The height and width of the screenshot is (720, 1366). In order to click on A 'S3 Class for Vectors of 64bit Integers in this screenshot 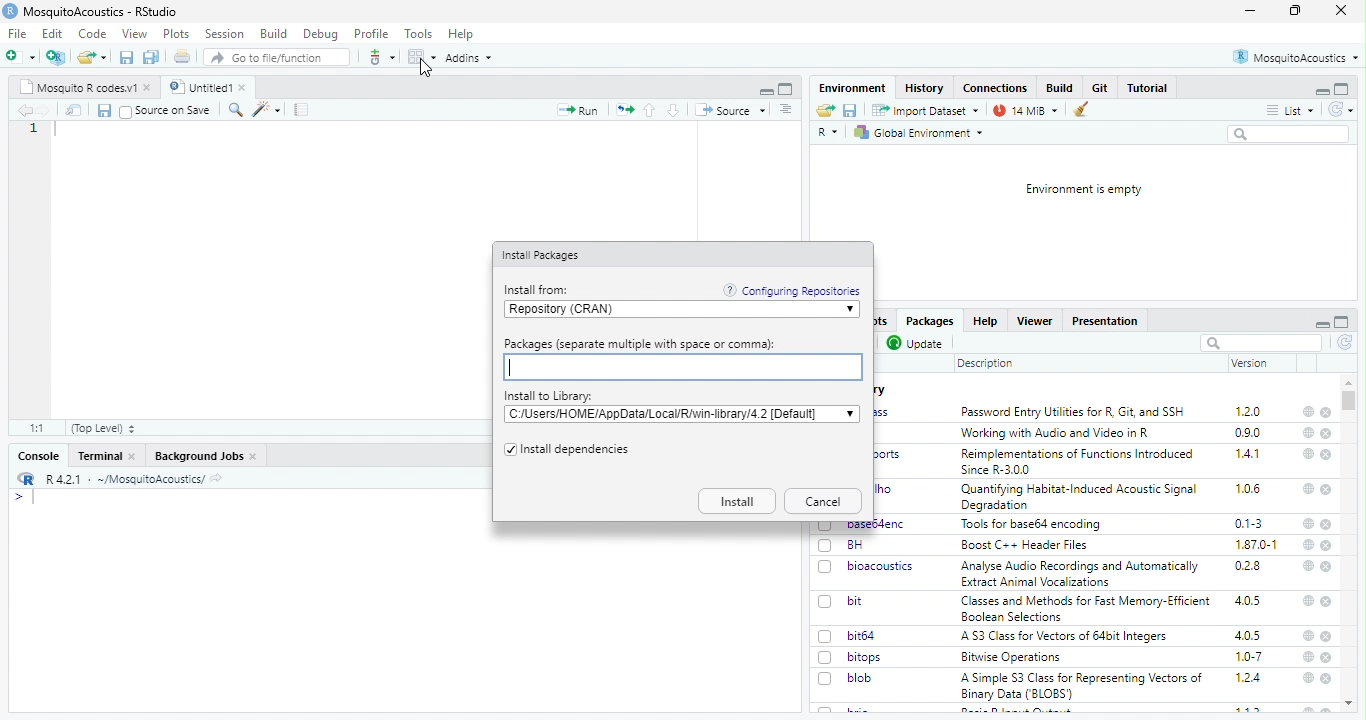, I will do `click(1066, 637)`.